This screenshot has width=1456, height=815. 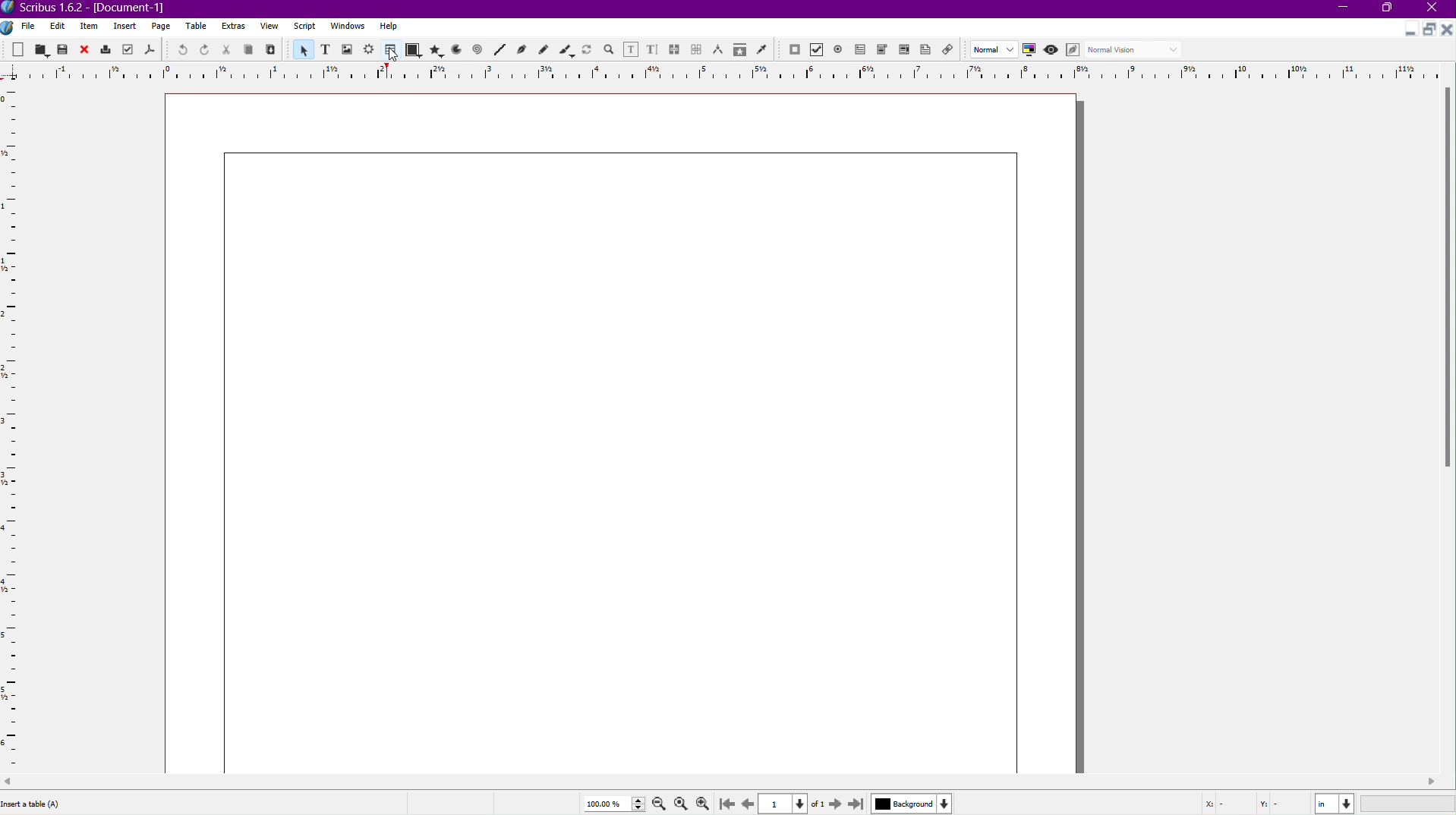 I want to click on Preflight Verifier, so click(x=125, y=50).